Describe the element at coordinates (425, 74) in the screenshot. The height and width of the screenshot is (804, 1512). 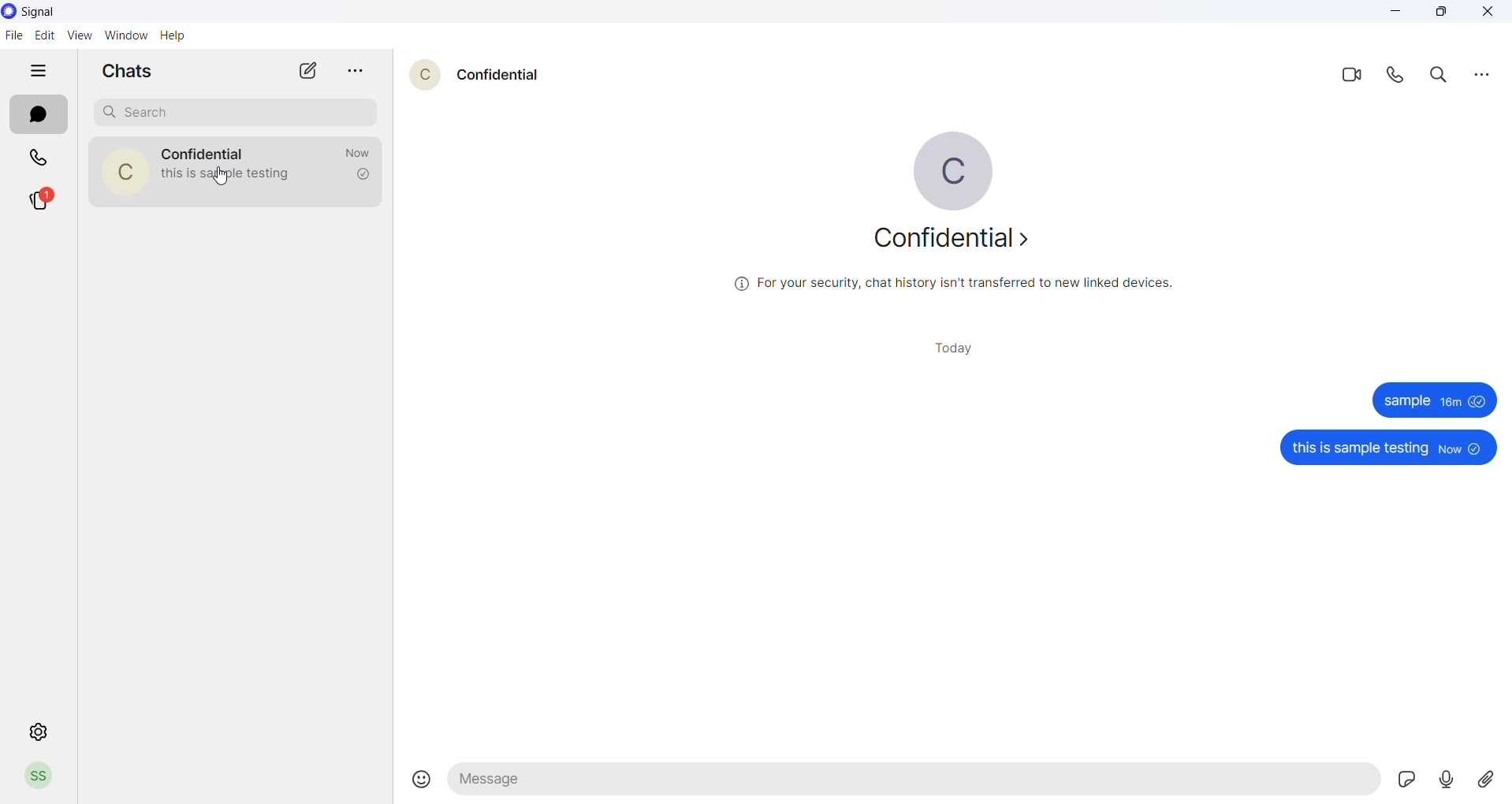
I see `c` at that location.